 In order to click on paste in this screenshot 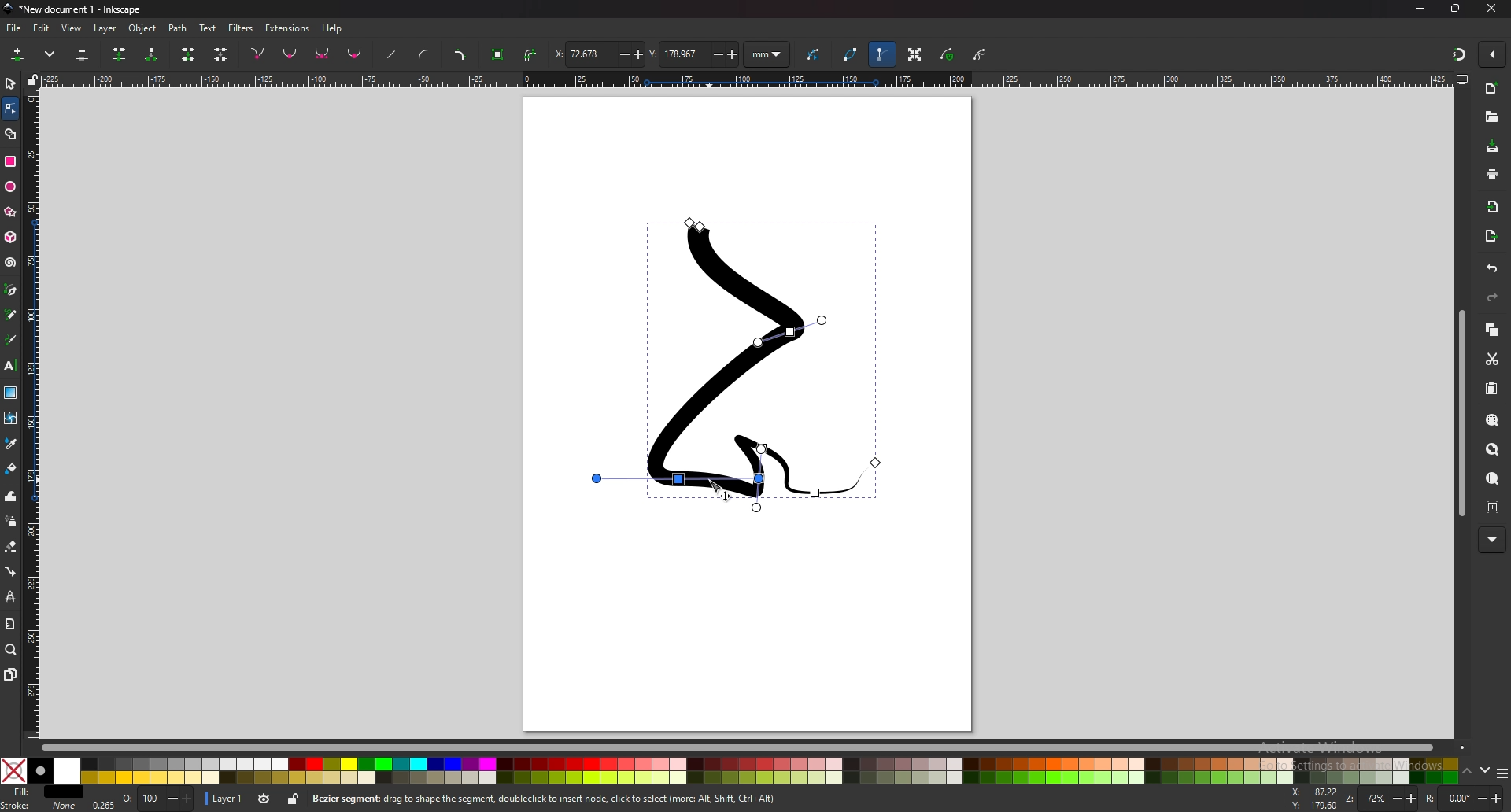, I will do `click(1492, 388)`.